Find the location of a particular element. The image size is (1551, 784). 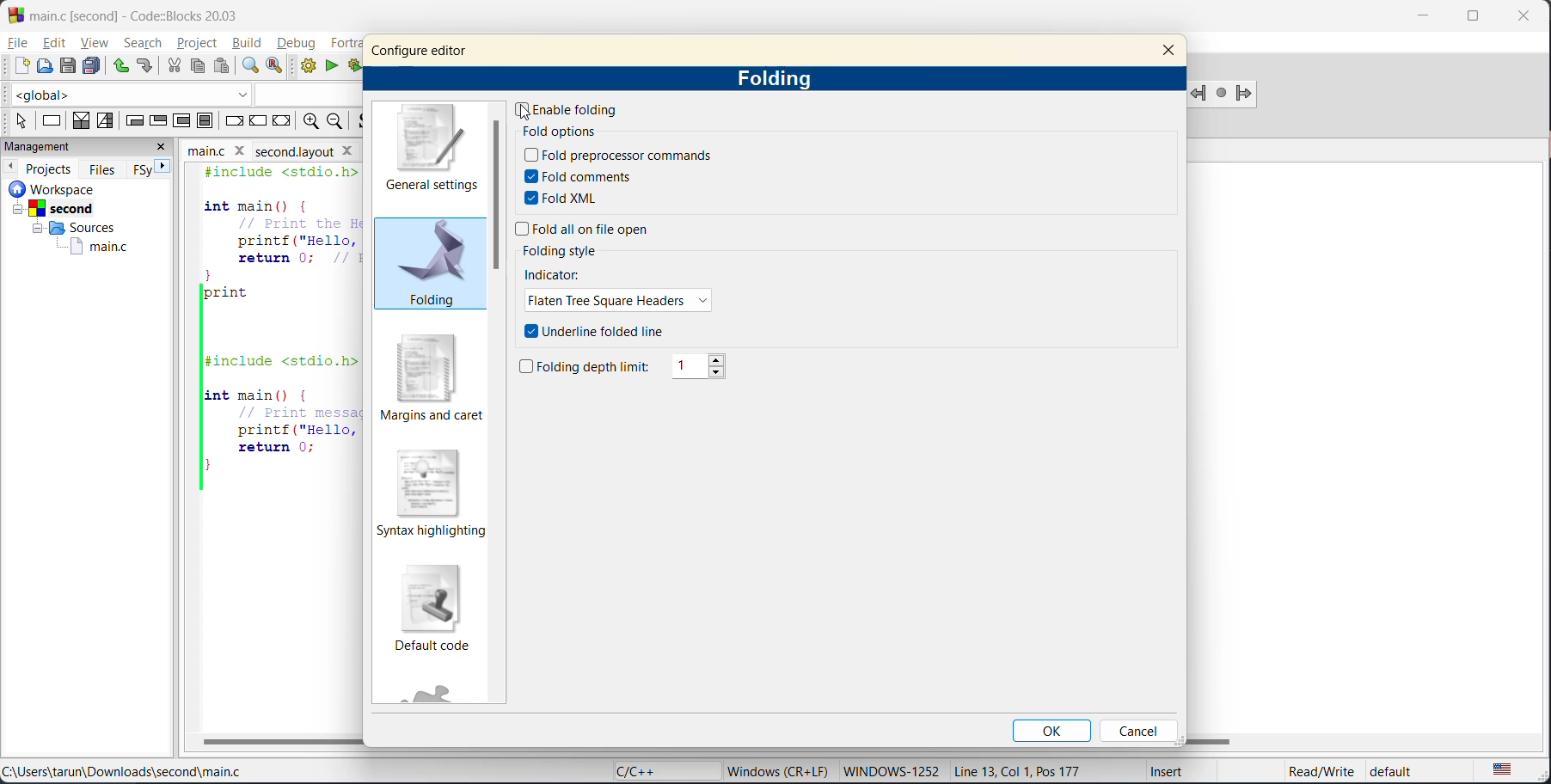

edit is located at coordinates (57, 45).